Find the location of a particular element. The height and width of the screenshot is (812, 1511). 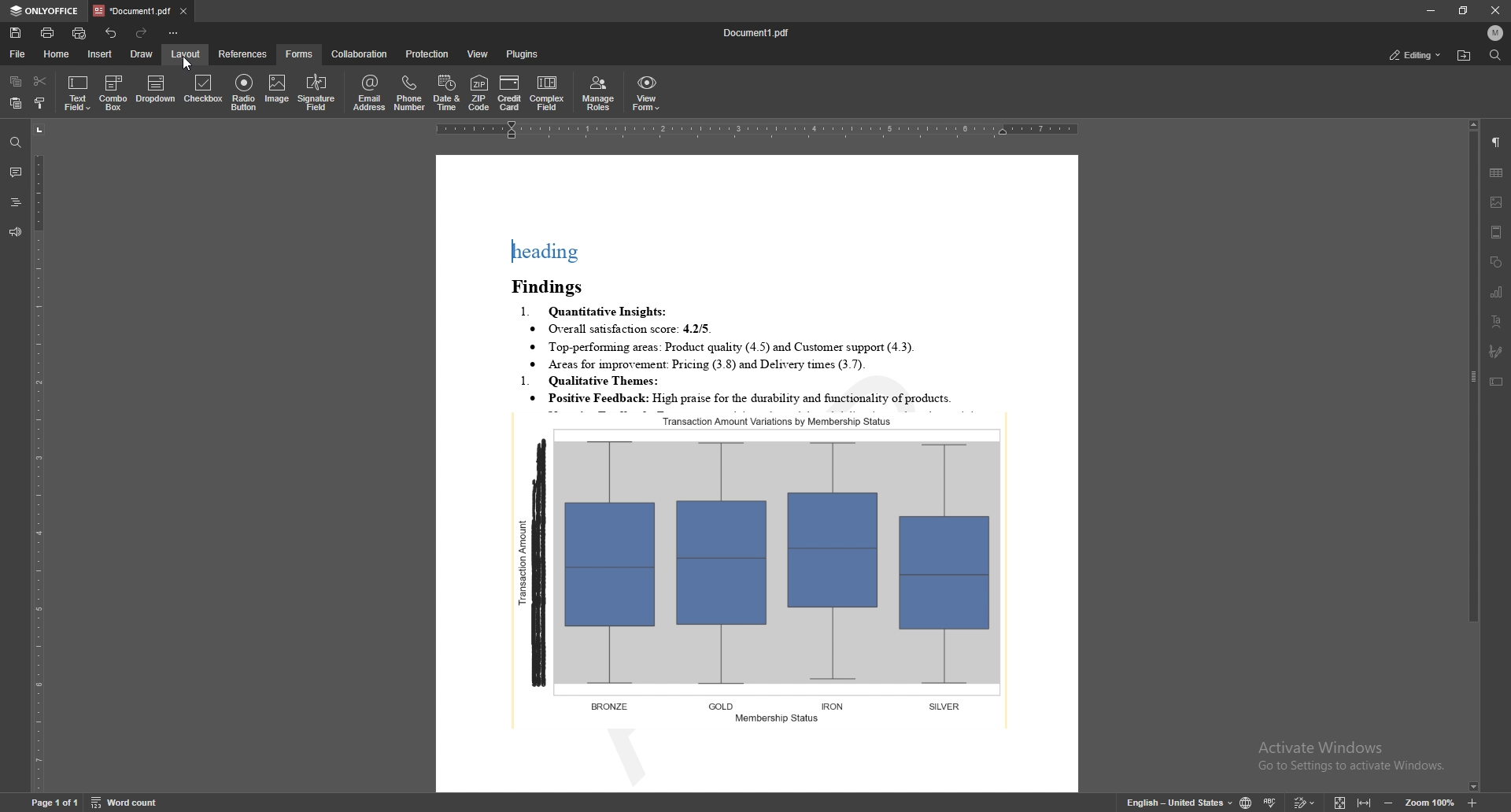

view form is located at coordinates (646, 93).